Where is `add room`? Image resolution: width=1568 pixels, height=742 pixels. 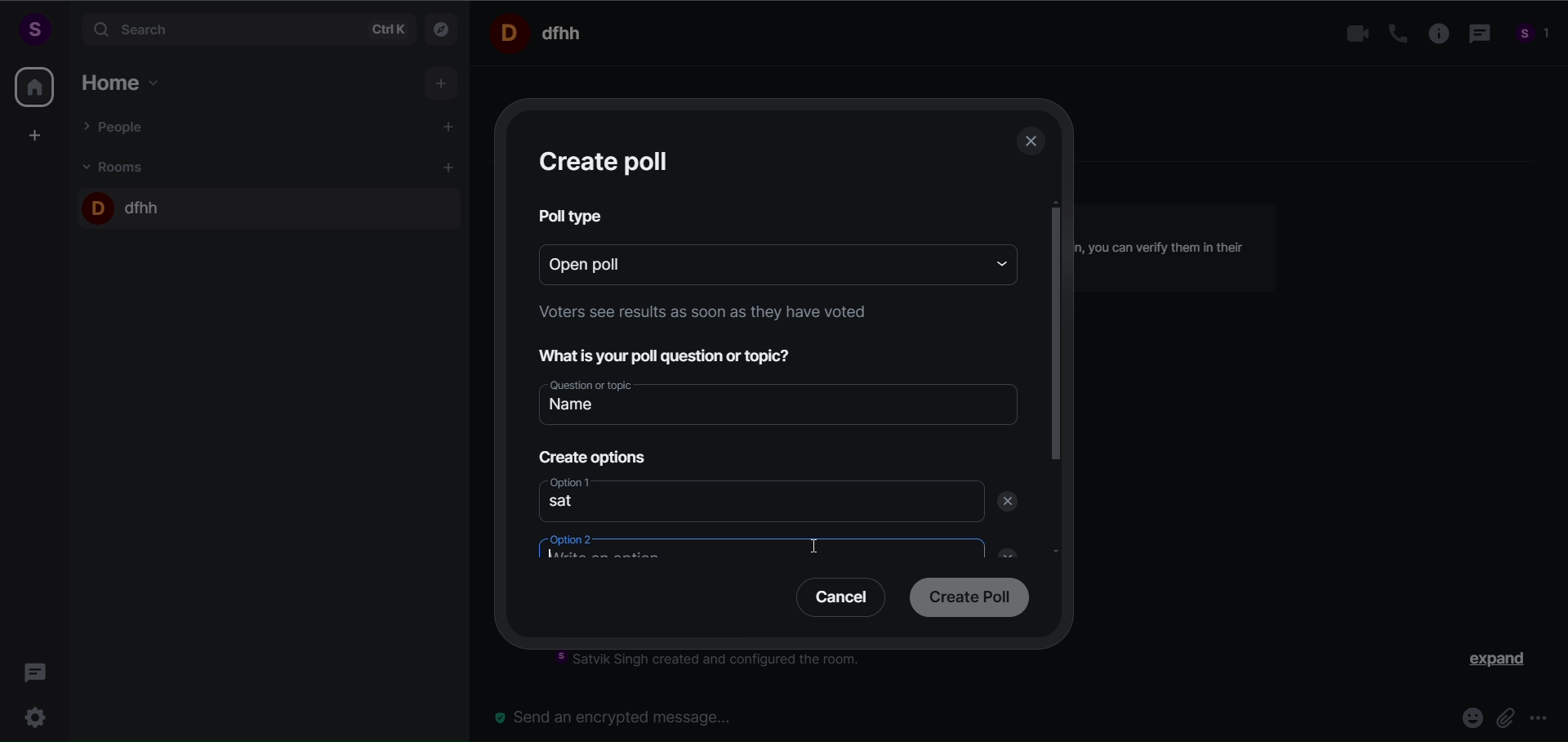 add room is located at coordinates (451, 168).